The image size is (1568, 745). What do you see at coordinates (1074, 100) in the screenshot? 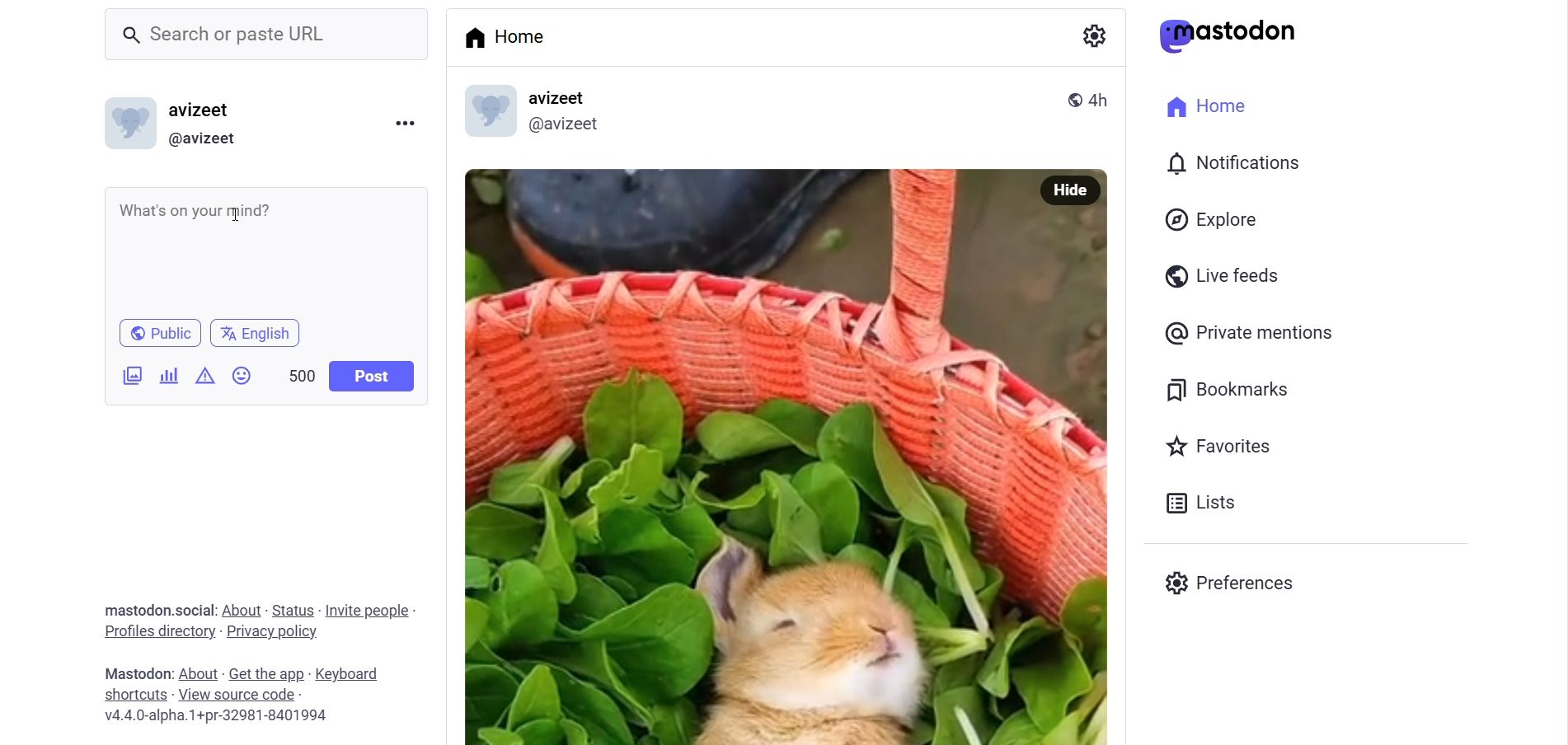
I see `public` at bounding box center [1074, 100].